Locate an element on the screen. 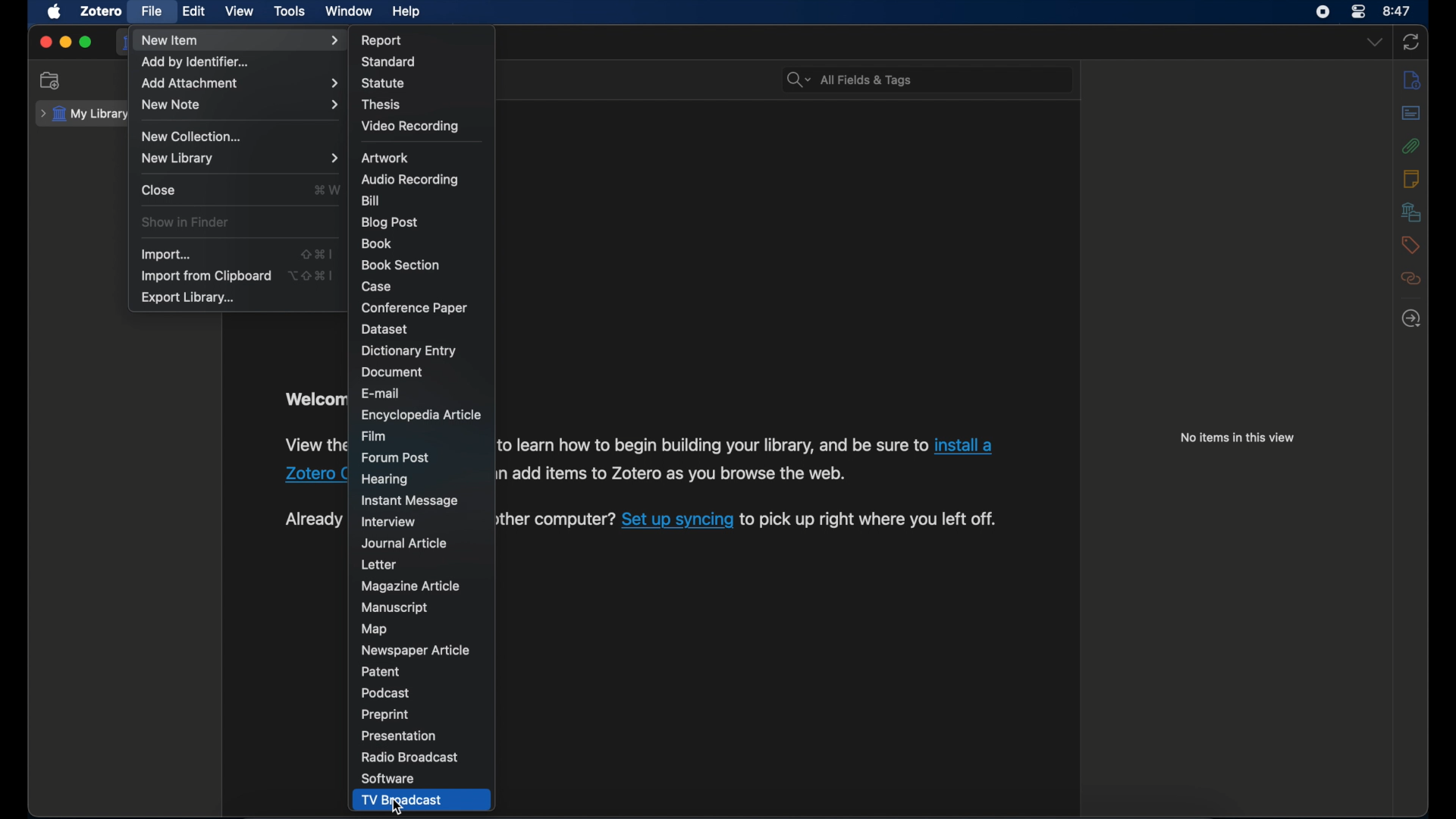  statue is located at coordinates (383, 83).